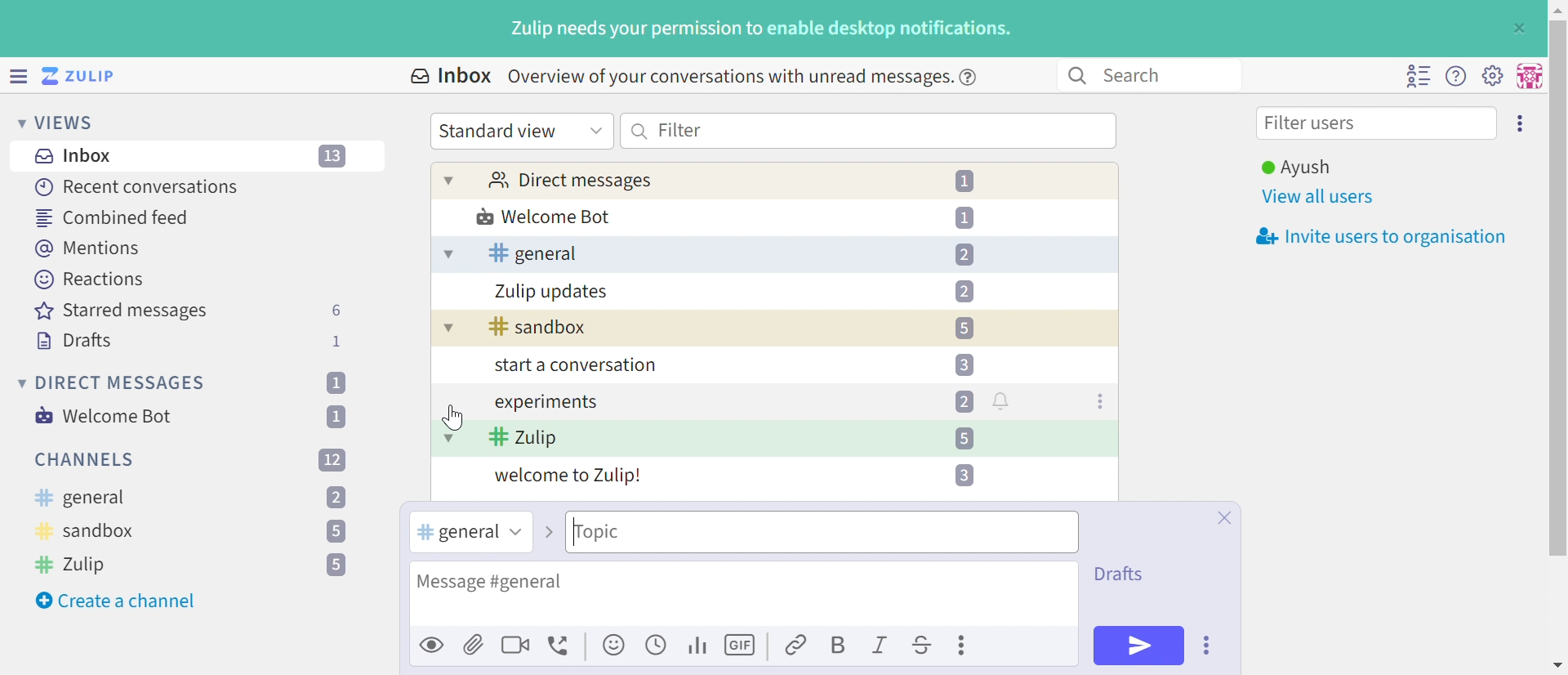  Describe the element at coordinates (447, 255) in the screenshot. I see `Drop Down` at that location.